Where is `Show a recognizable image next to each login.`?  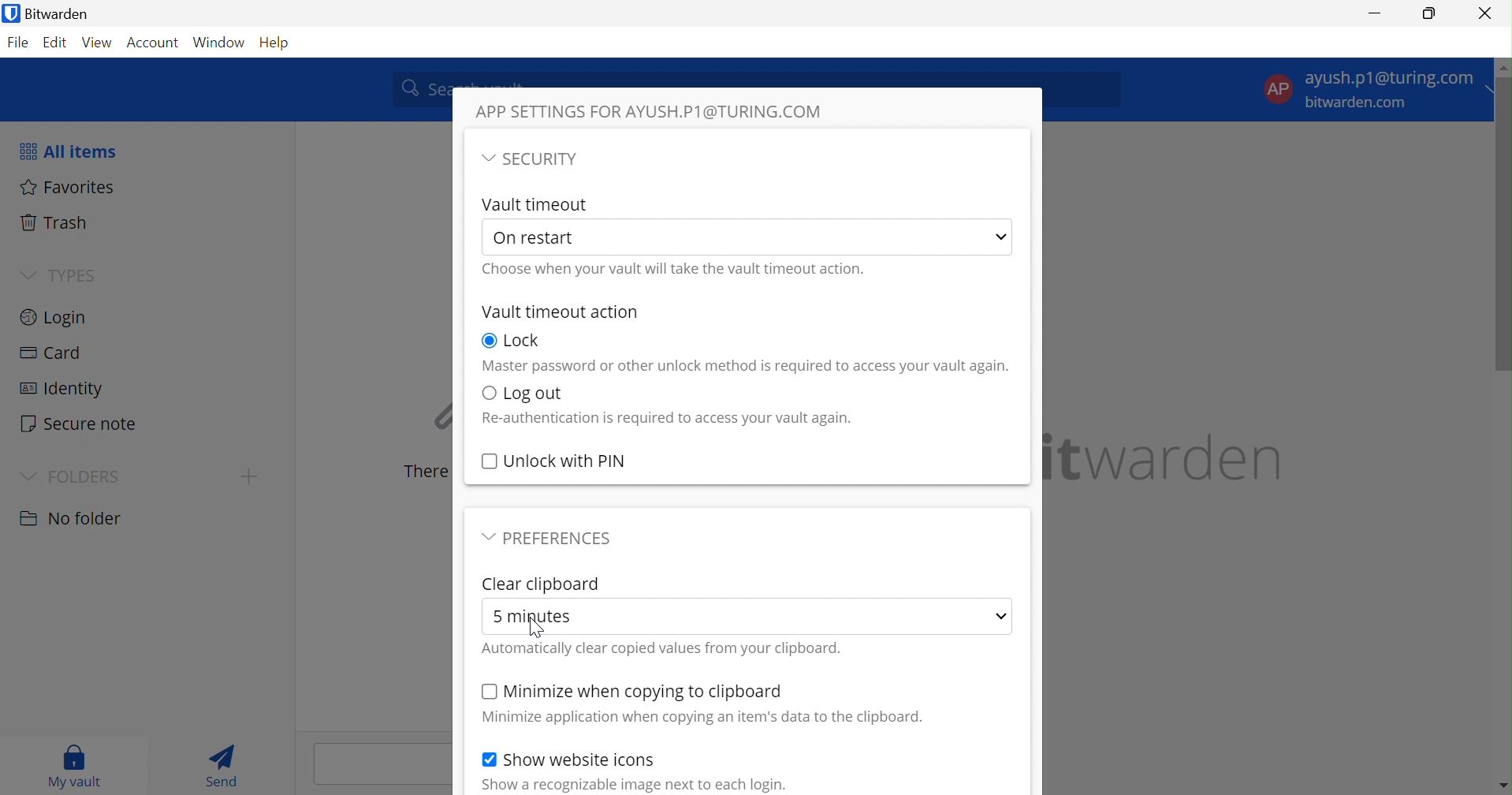
Show a recognizable image next to each login. is located at coordinates (635, 784).